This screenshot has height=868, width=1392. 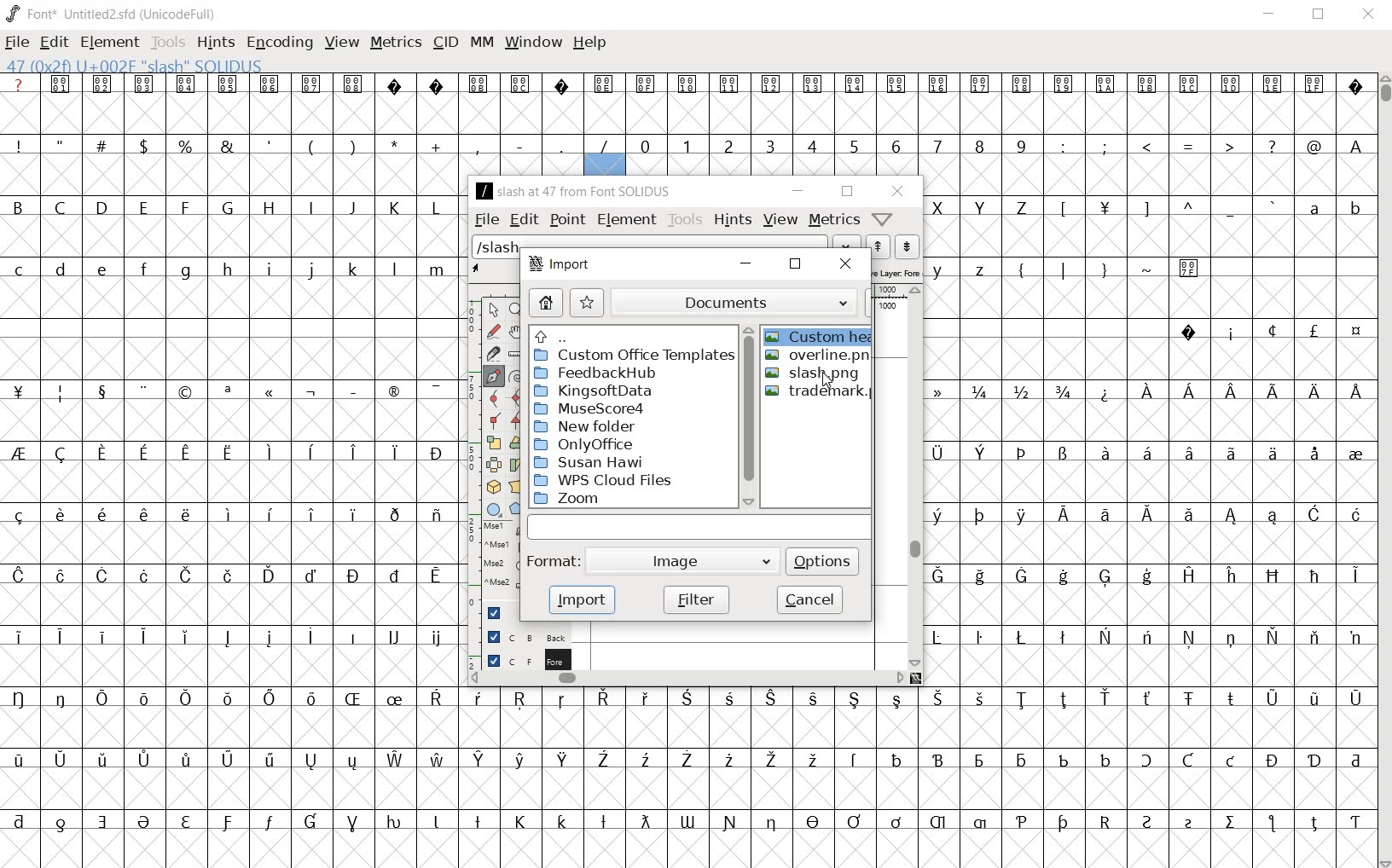 I want to click on cursor, so click(x=828, y=381).